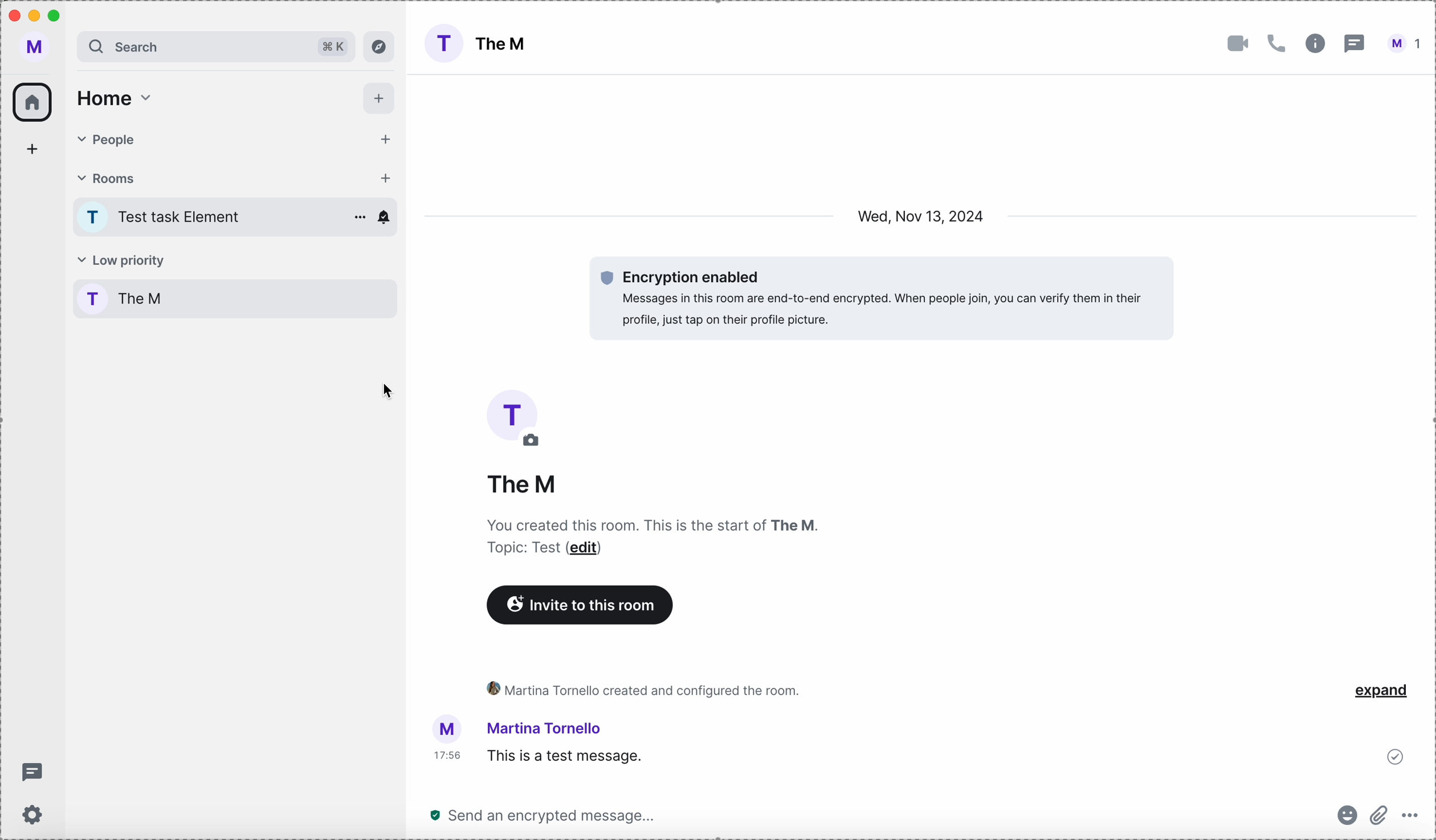 The image size is (1436, 840). Describe the element at coordinates (31, 772) in the screenshot. I see `threads` at that location.